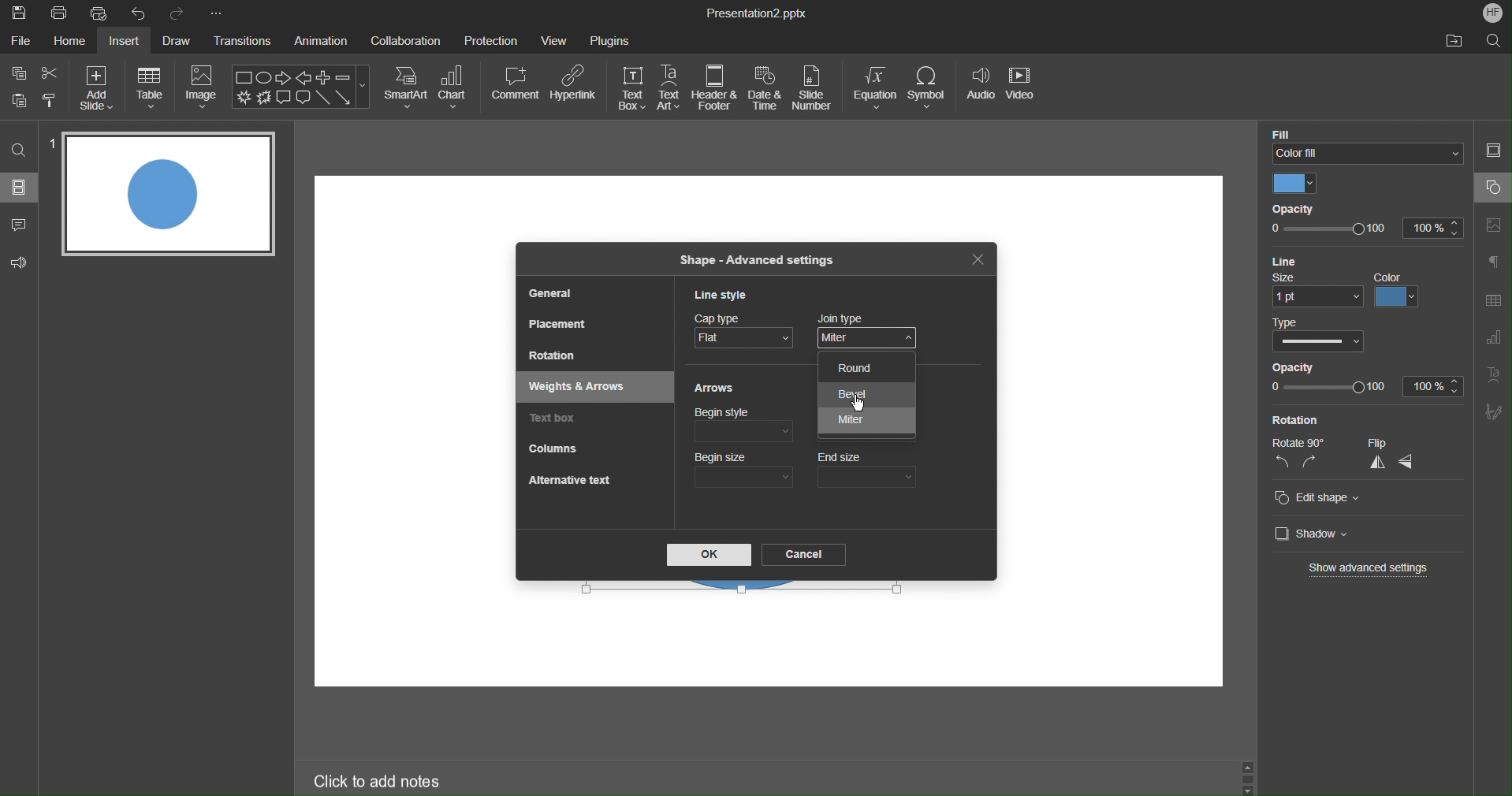 The height and width of the screenshot is (796, 1512). I want to click on Search, so click(1494, 40).